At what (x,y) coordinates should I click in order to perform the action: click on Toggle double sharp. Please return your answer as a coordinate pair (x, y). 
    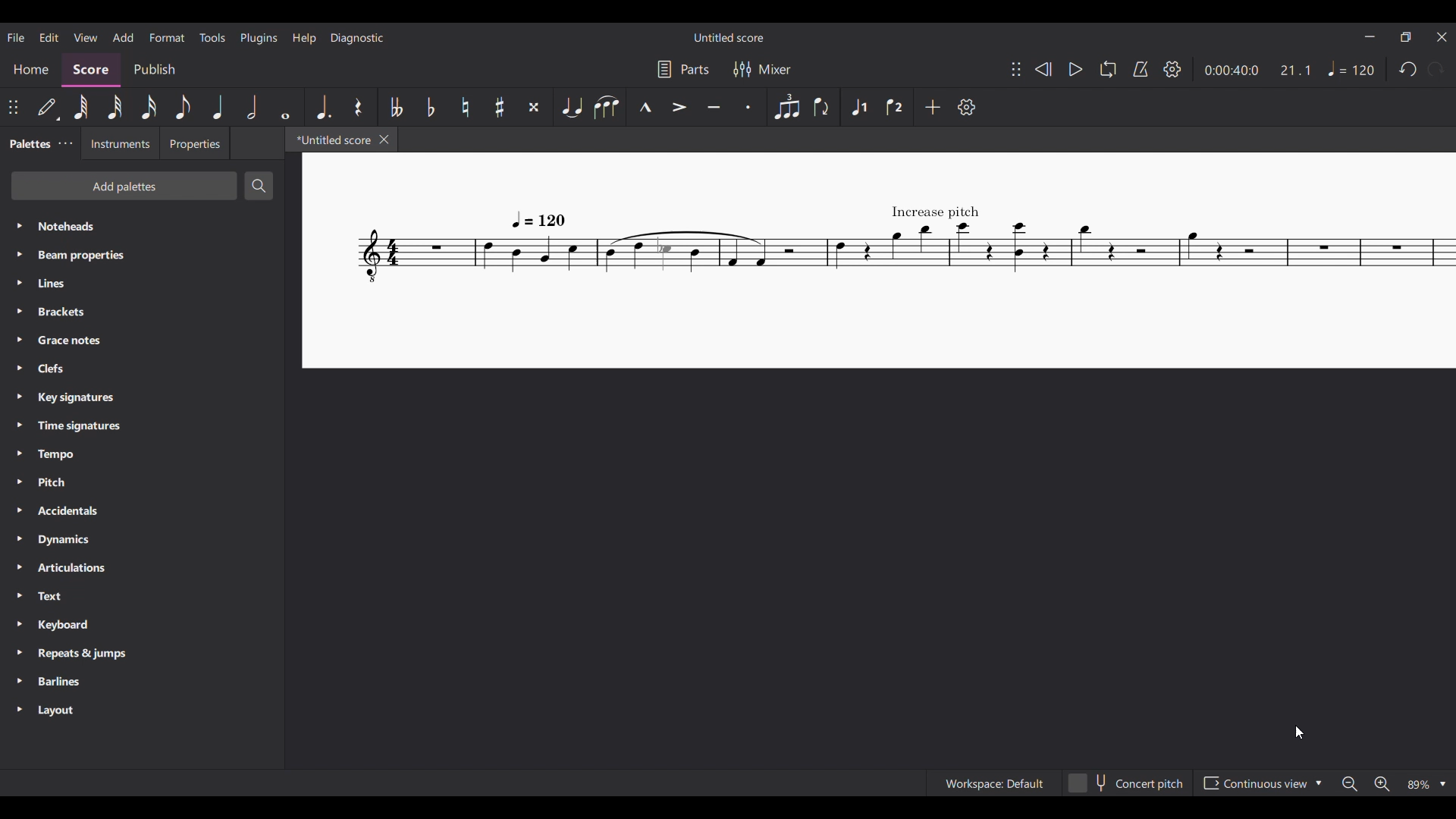
    Looking at the image, I should click on (534, 107).